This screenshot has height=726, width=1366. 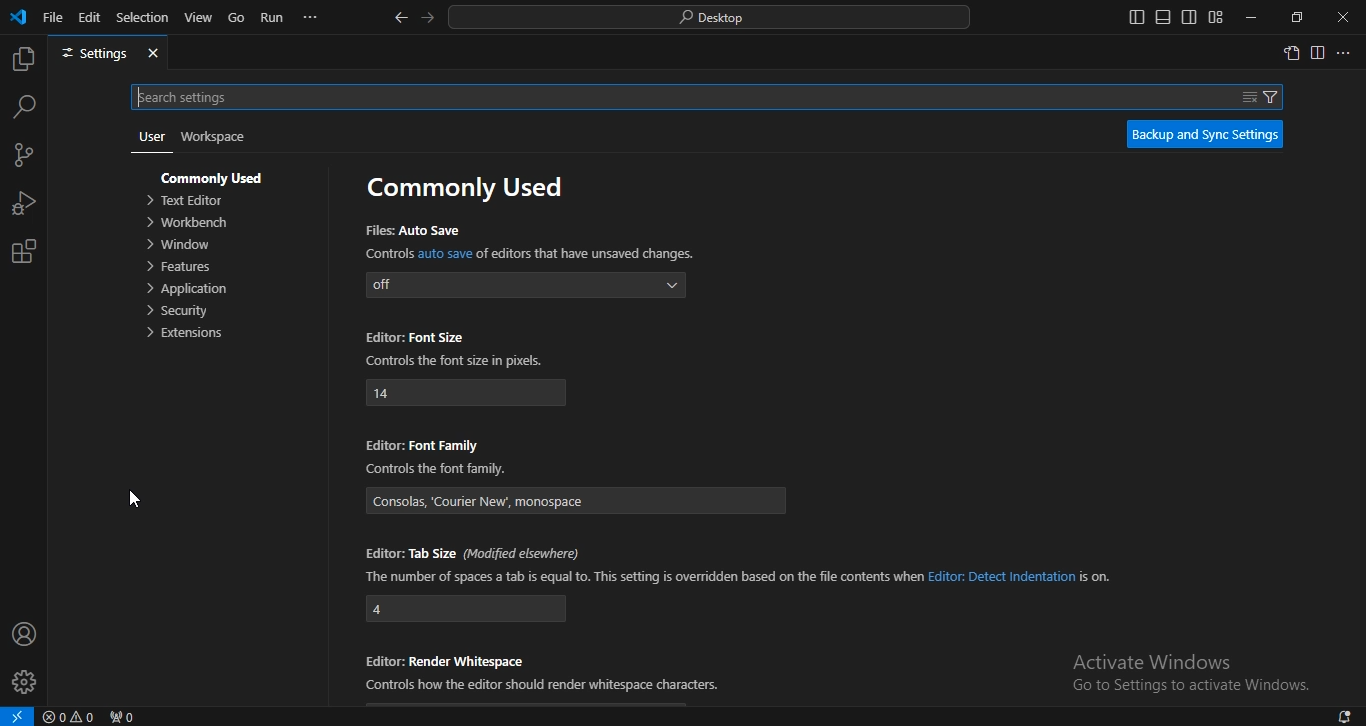 I want to click on user, so click(x=150, y=136).